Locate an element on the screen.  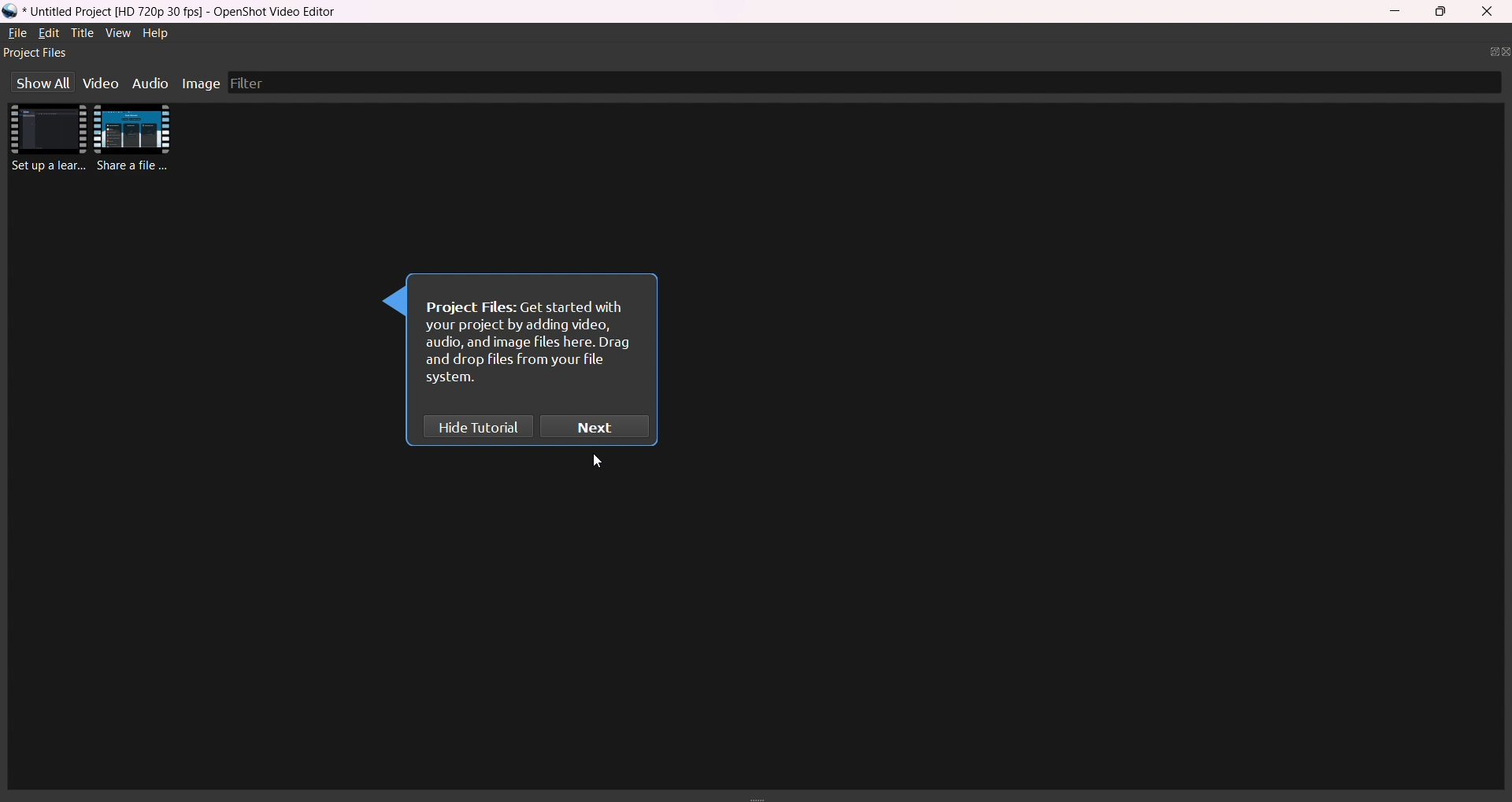
filter is located at coordinates (253, 83).